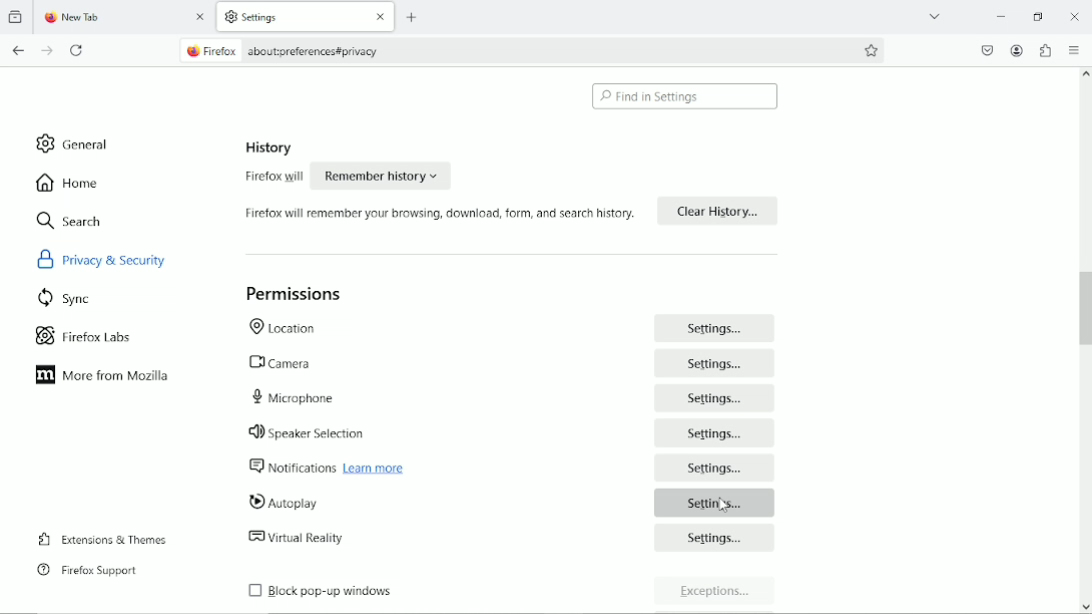 This screenshot has width=1092, height=614. Describe the element at coordinates (373, 329) in the screenshot. I see `location` at that location.